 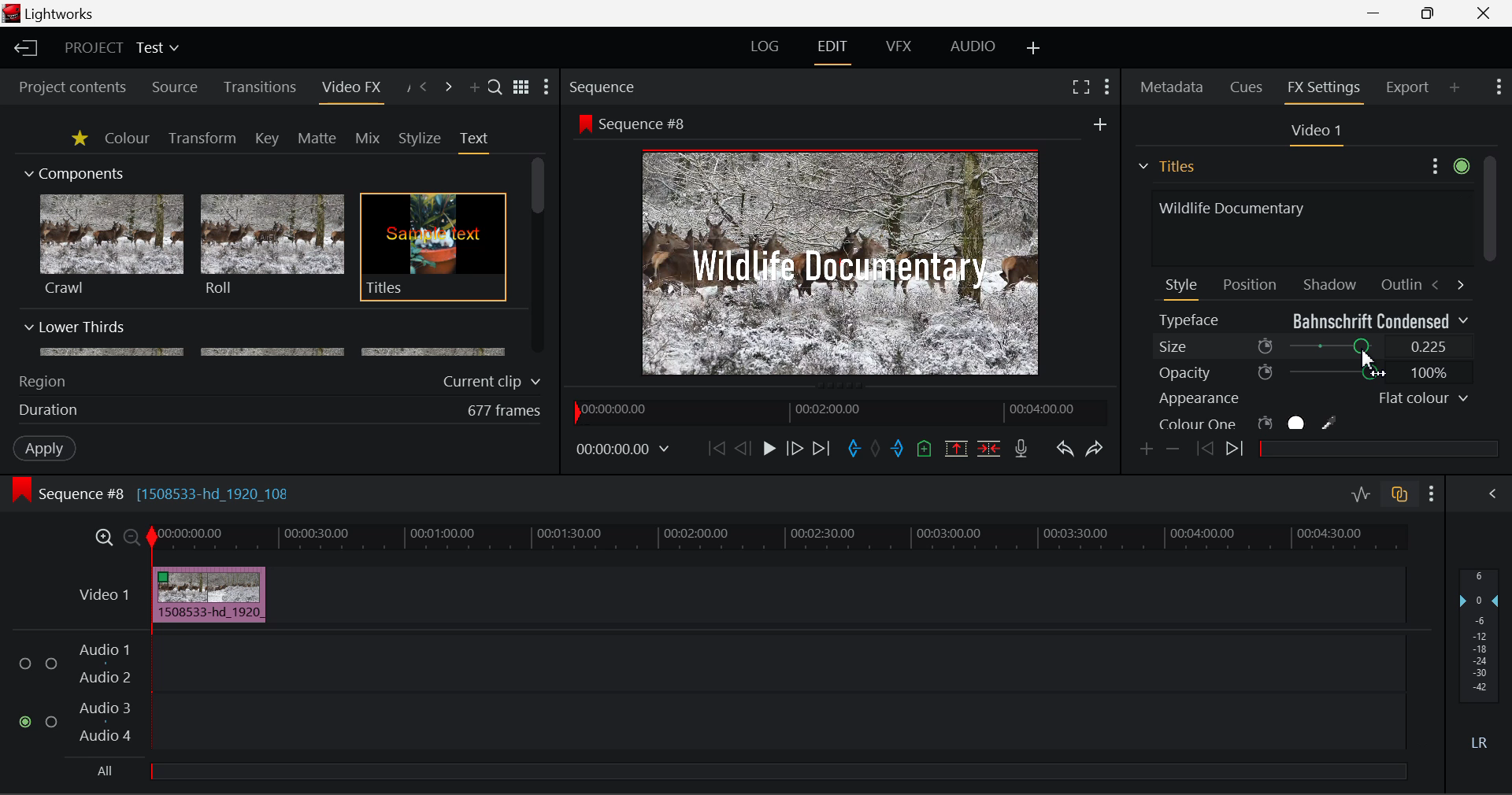 What do you see at coordinates (1081, 86) in the screenshot?
I see `Full Screen` at bounding box center [1081, 86].